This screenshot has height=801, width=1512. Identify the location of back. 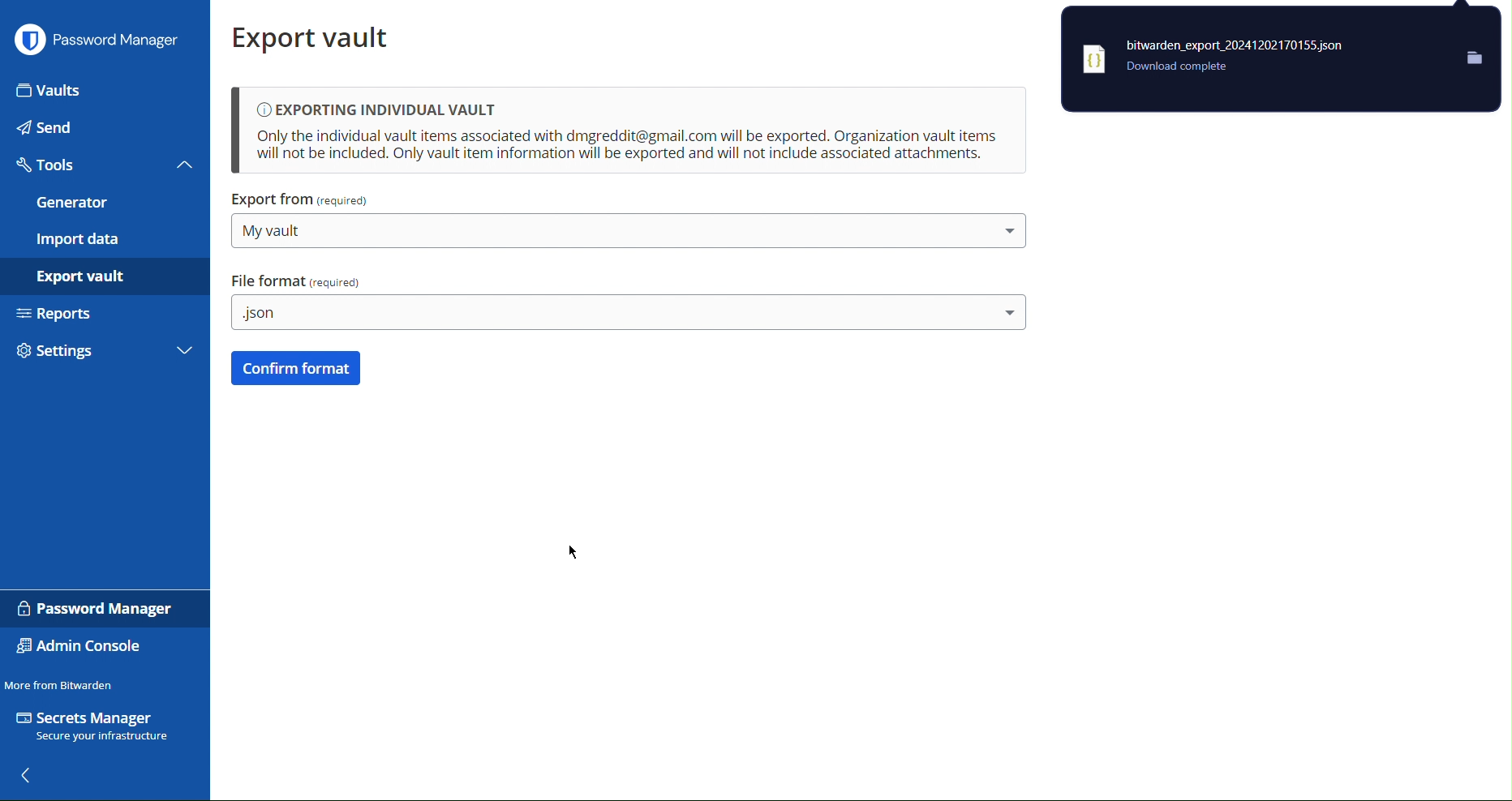
(35, 778).